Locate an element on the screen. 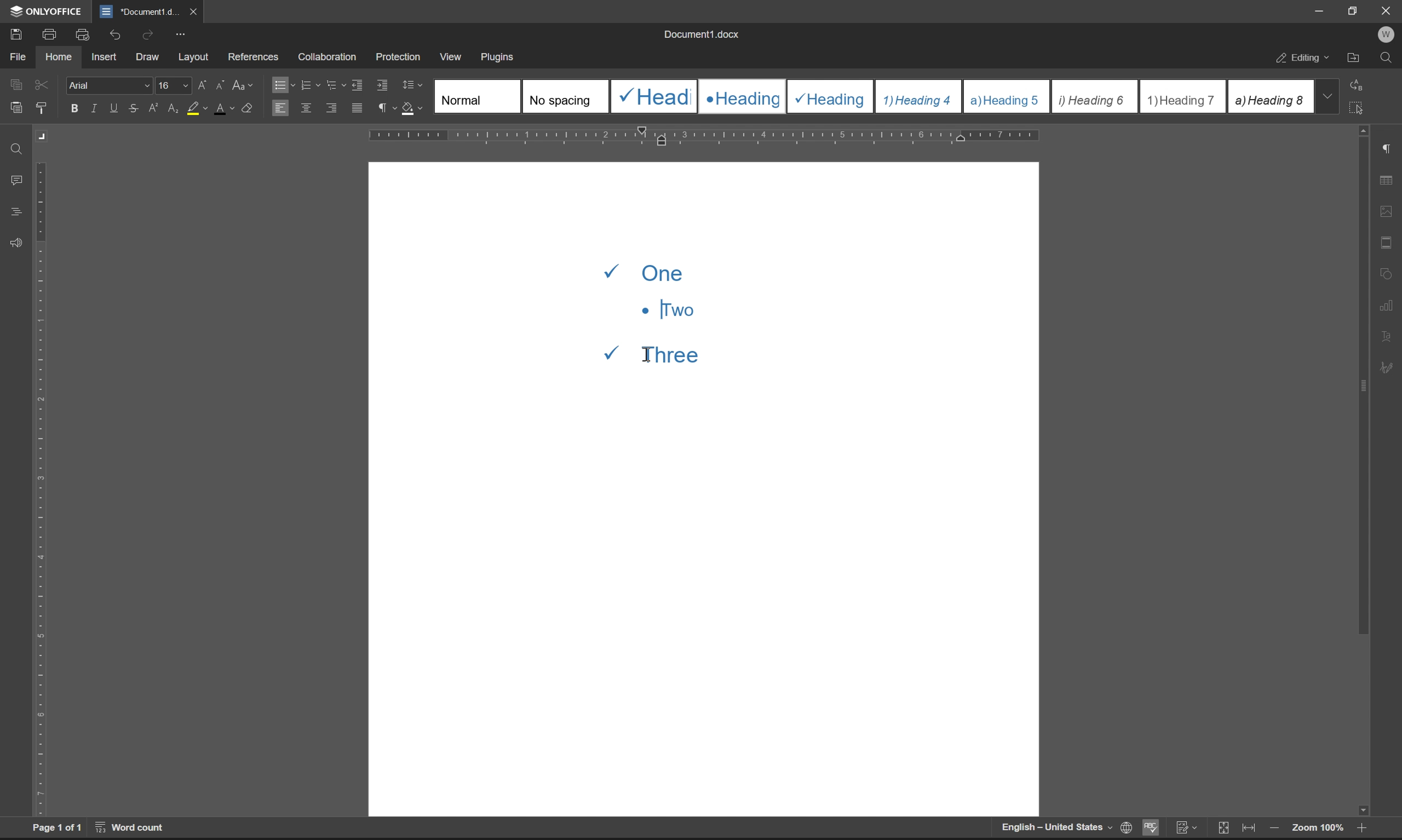  zoom out is located at coordinates (1274, 829).